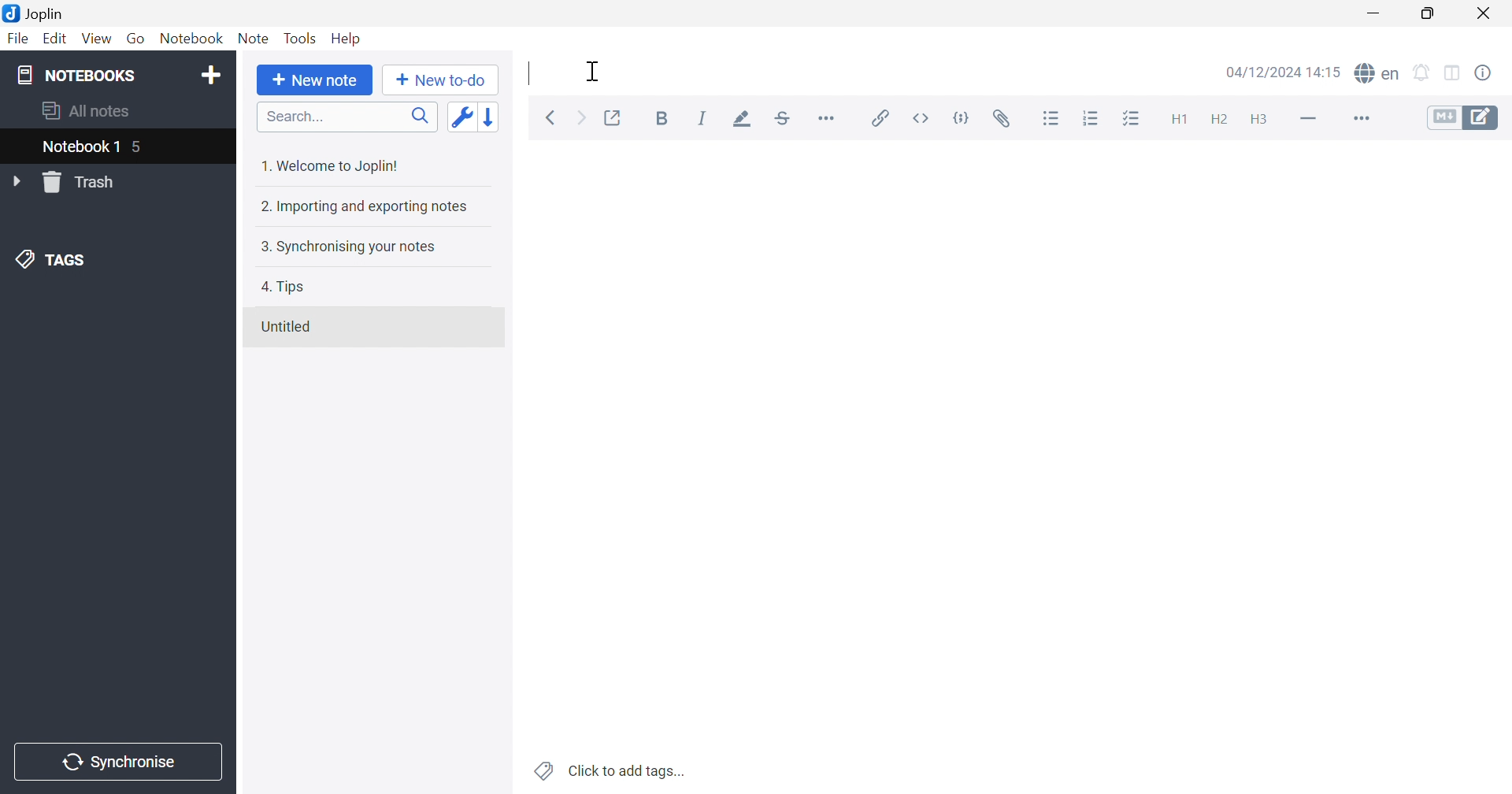 The height and width of the screenshot is (794, 1512). What do you see at coordinates (1002, 119) in the screenshot?
I see `Attach file` at bounding box center [1002, 119].